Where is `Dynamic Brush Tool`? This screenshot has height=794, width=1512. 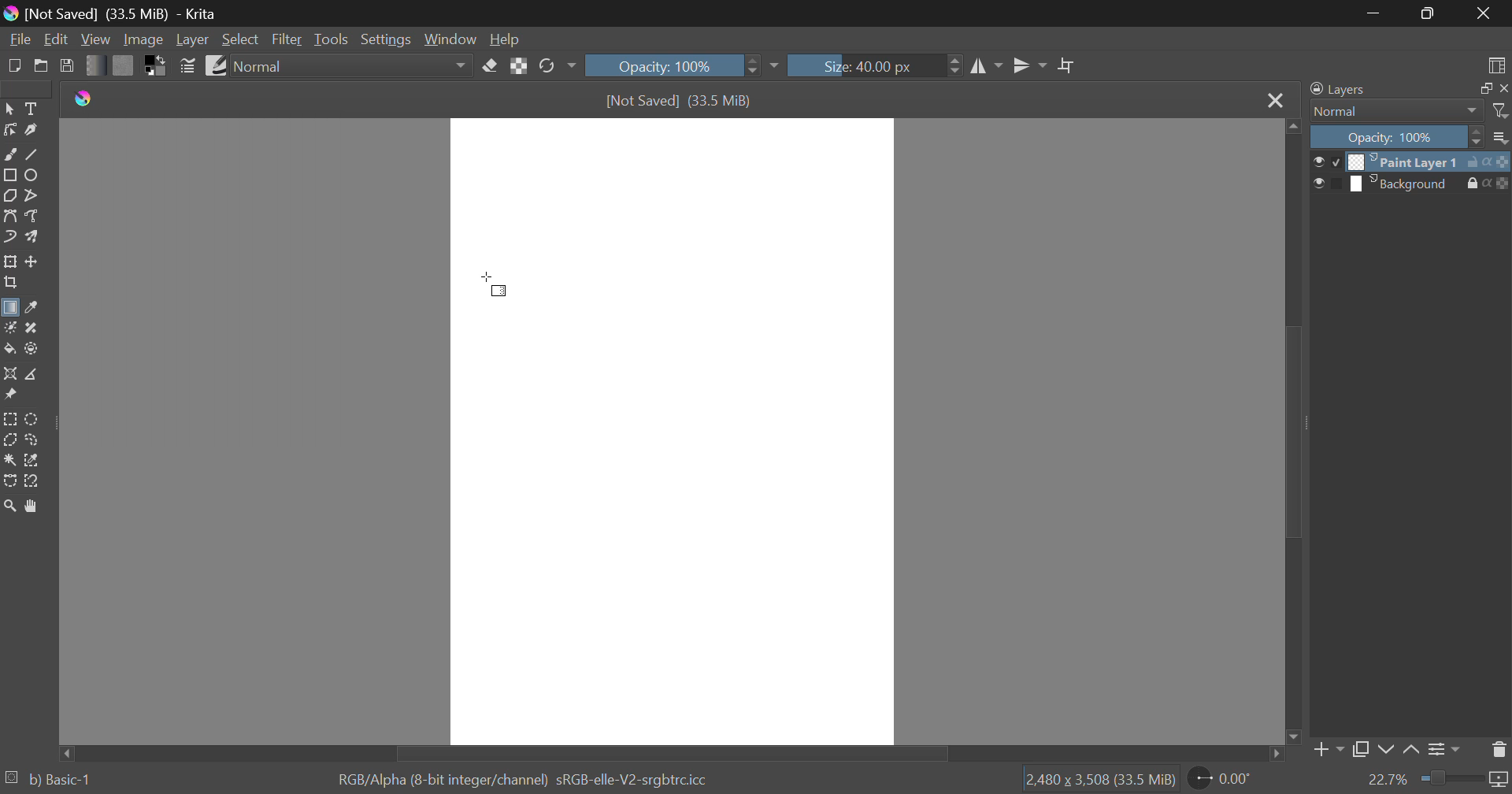
Dynamic Brush Tool is located at coordinates (9, 238).